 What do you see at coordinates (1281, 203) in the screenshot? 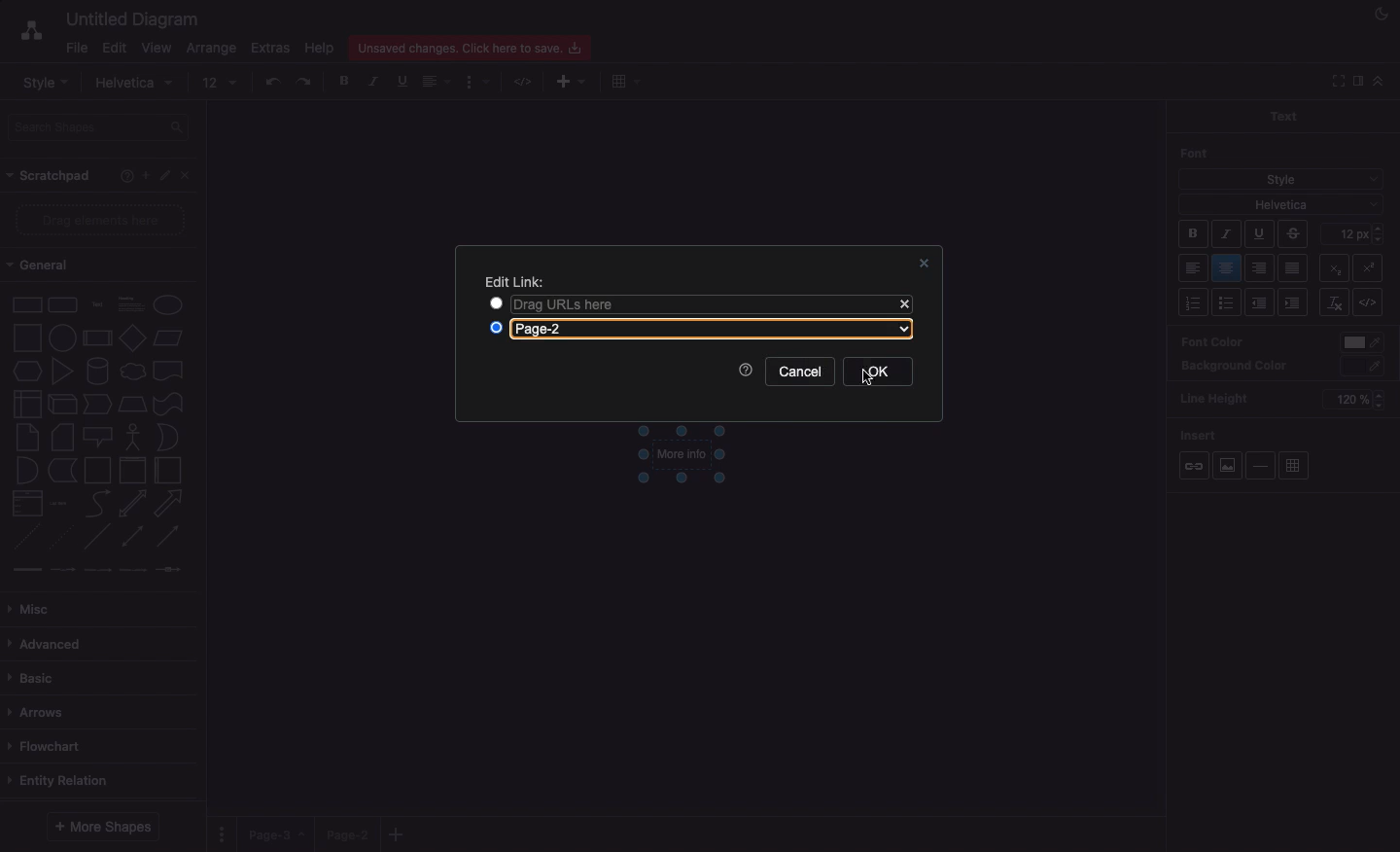
I see `Helvetica` at bounding box center [1281, 203].